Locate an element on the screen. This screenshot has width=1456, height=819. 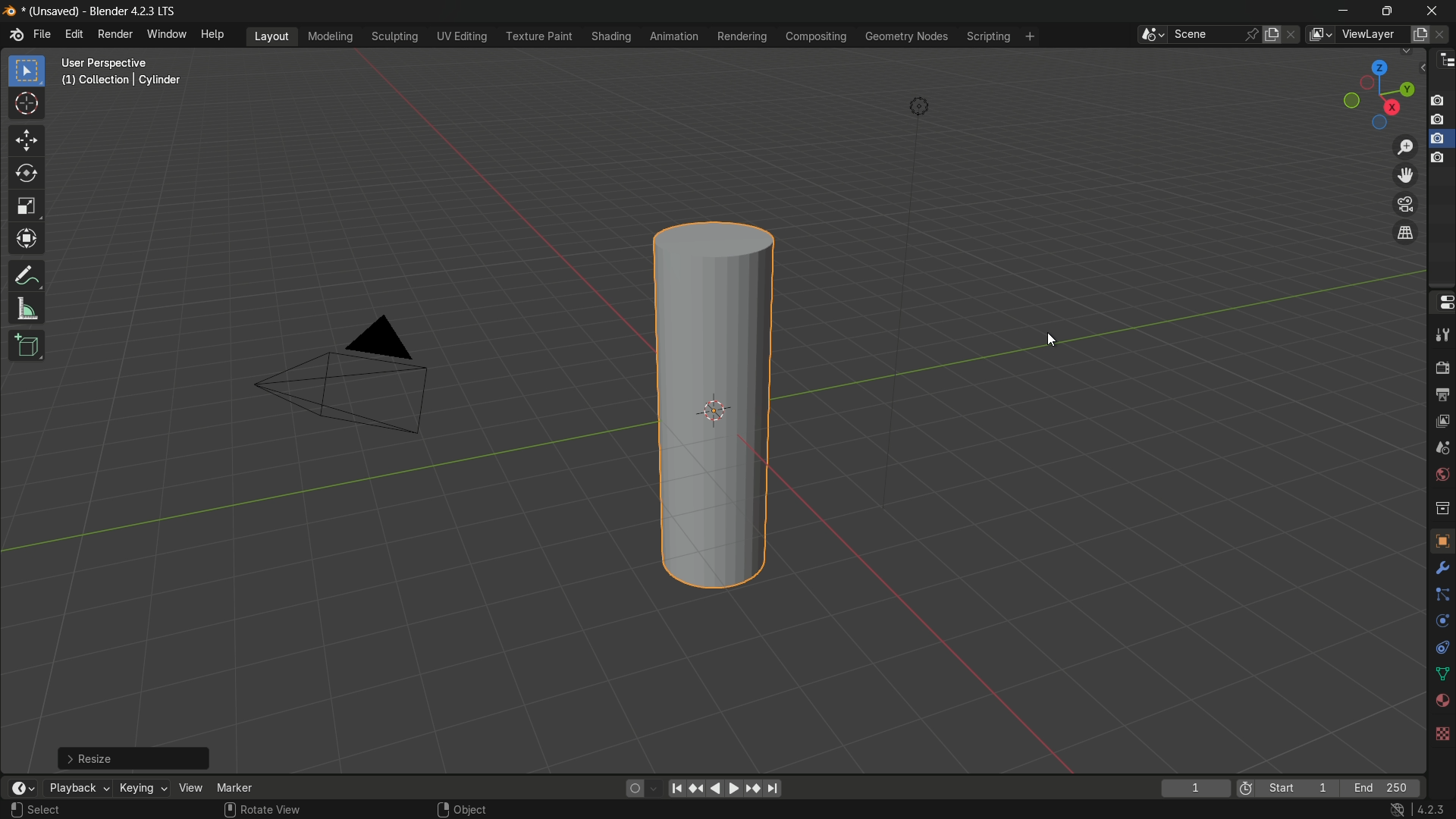
modeling is located at coordinates (329, 36).